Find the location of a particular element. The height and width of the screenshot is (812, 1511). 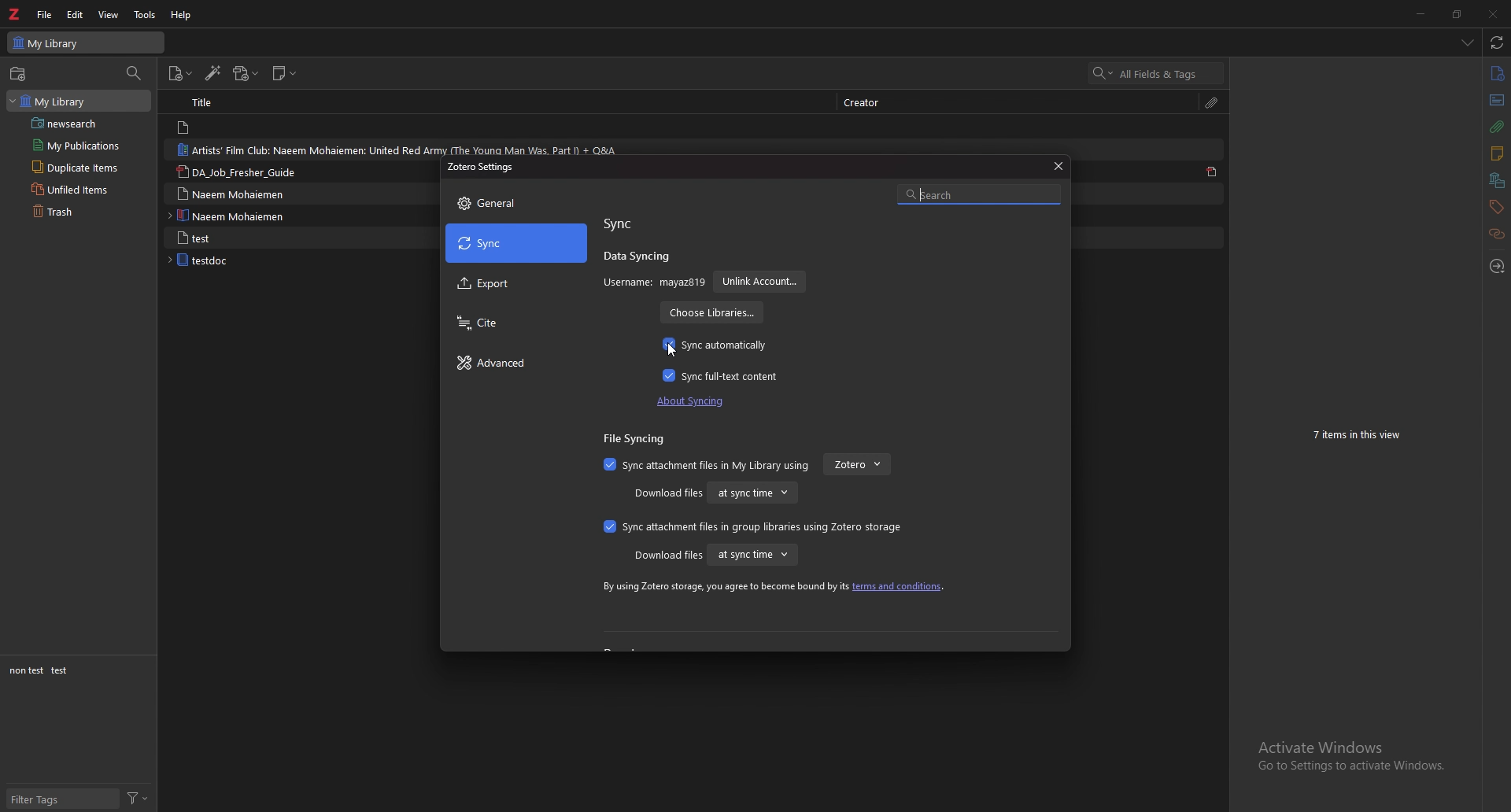

saved search is located at coordinates (84, 124).